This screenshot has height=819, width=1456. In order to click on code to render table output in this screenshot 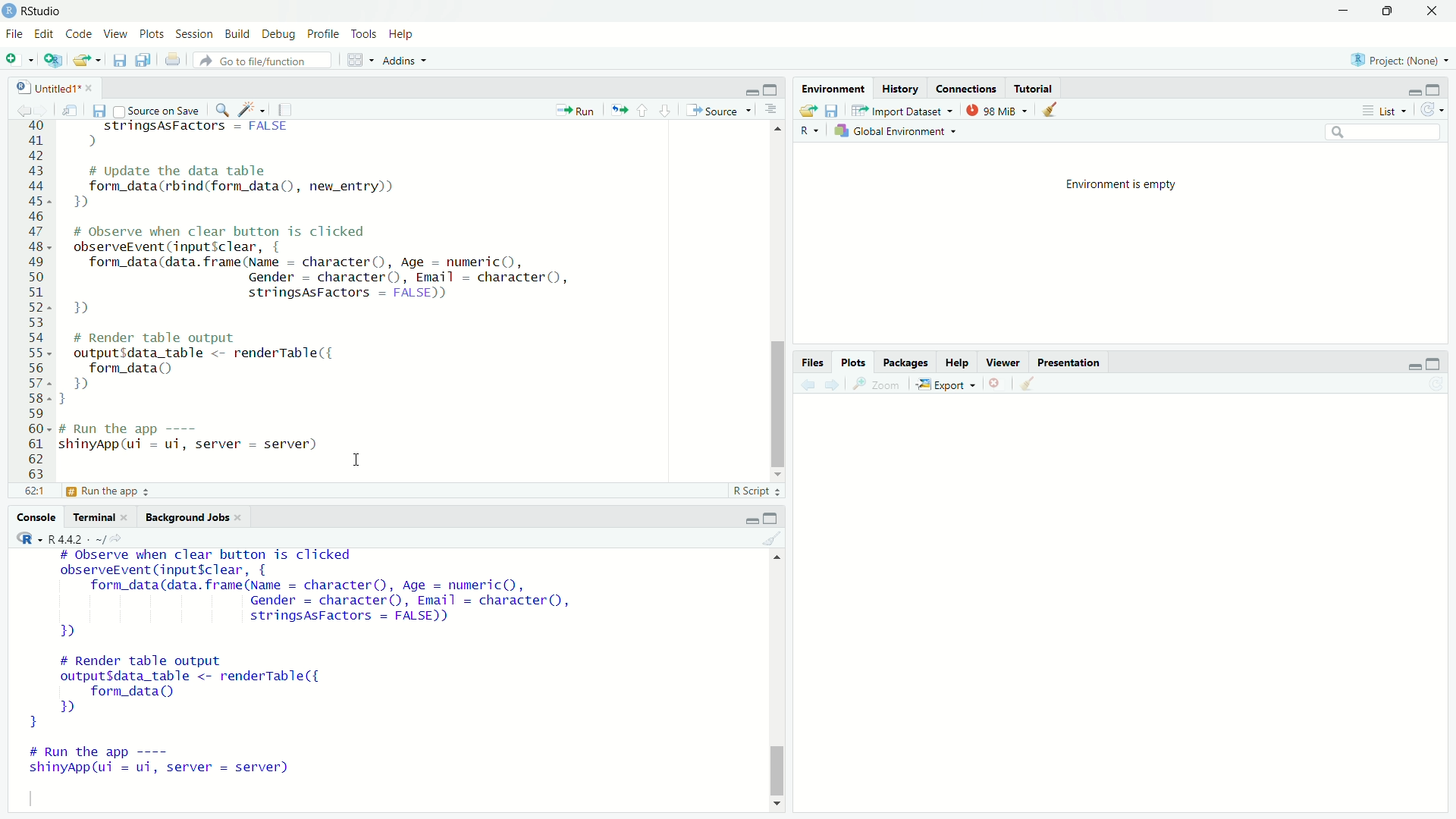, I will do `click(229, 367)`.